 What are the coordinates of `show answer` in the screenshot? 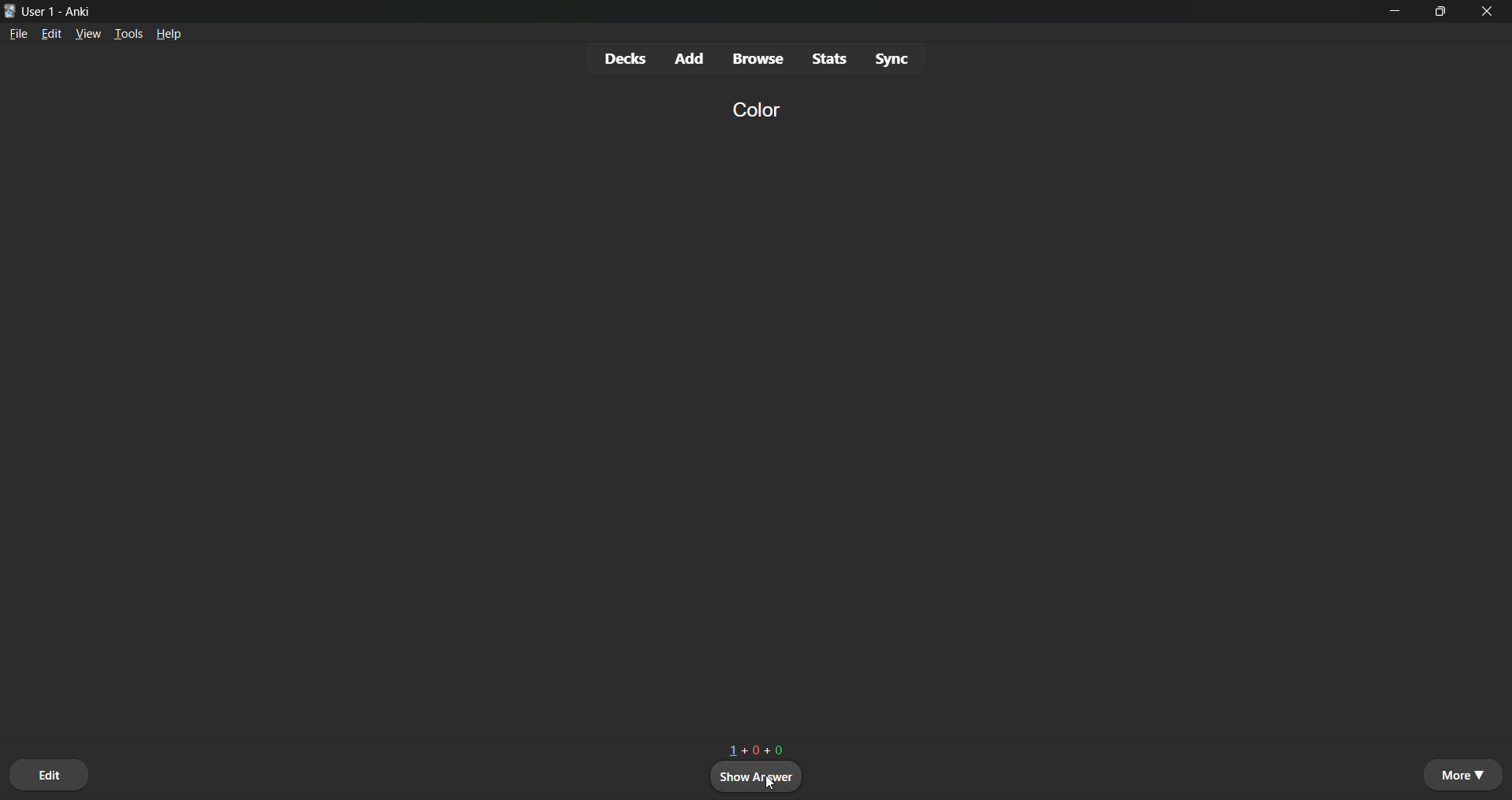 It's located at (758, 778).